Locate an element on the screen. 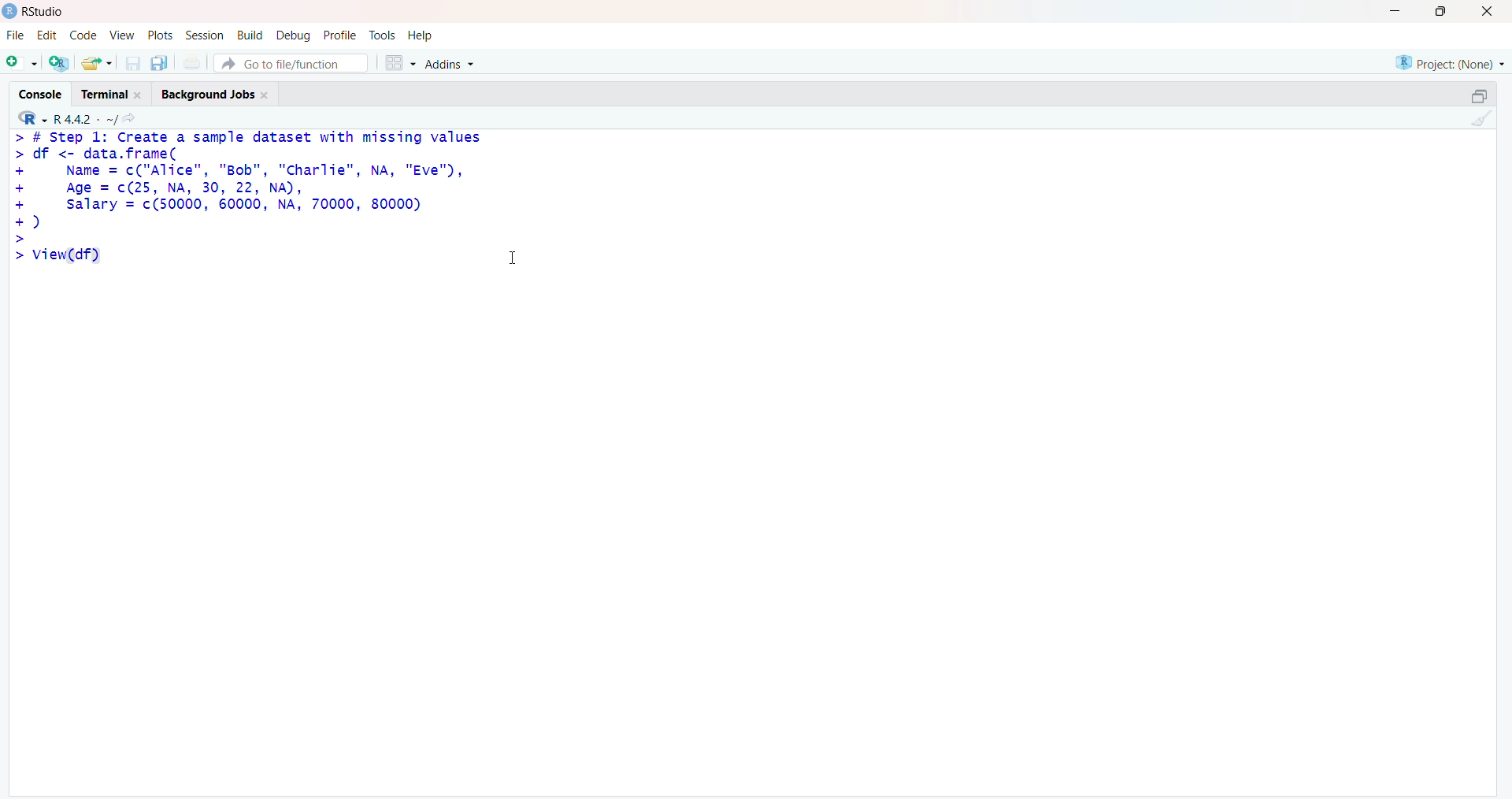 The height and width of the screenshot is (799, 1512). Posts is located at coordinates (160, 34).